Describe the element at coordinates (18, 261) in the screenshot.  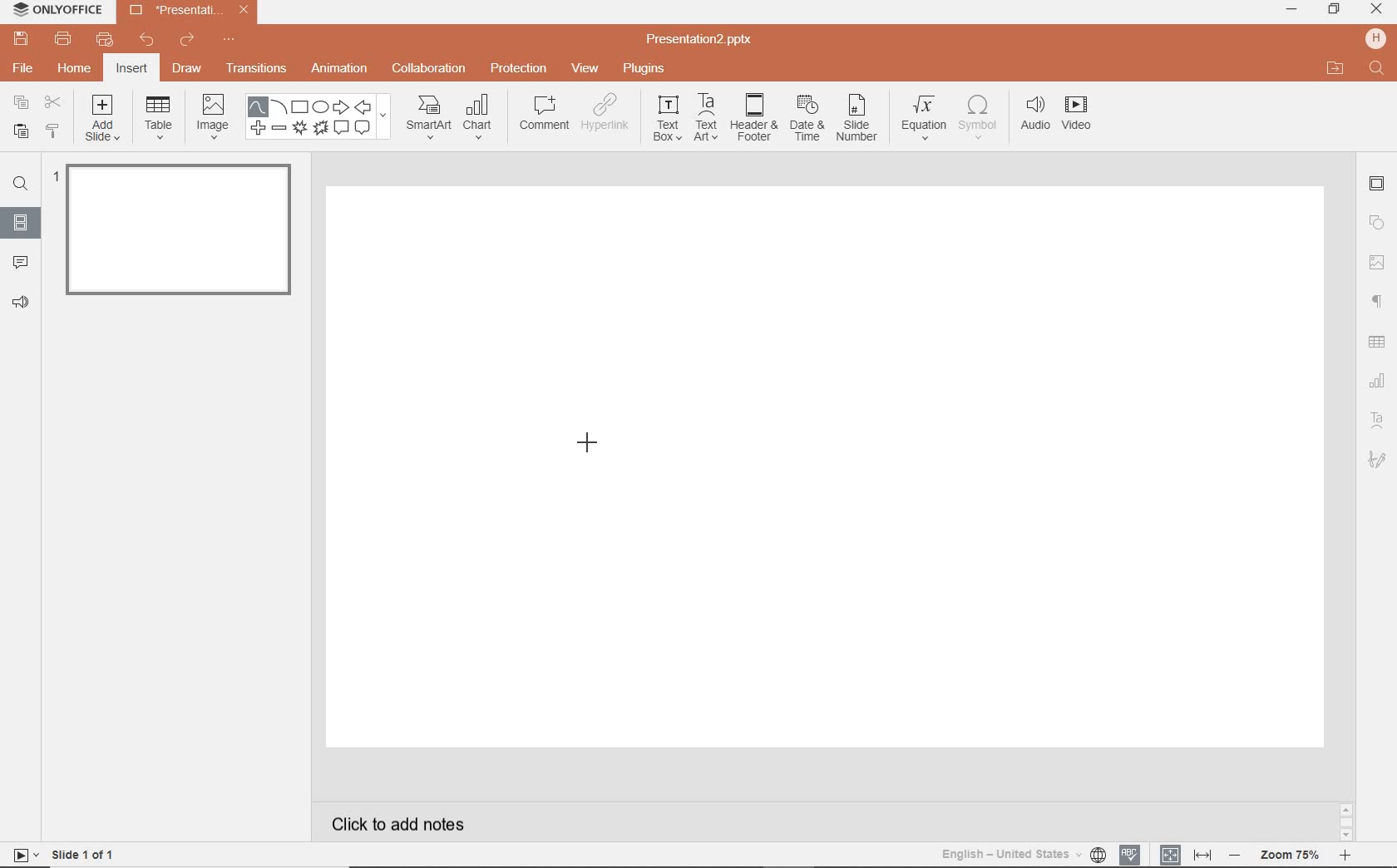
I see `COMMENTS` at that location.